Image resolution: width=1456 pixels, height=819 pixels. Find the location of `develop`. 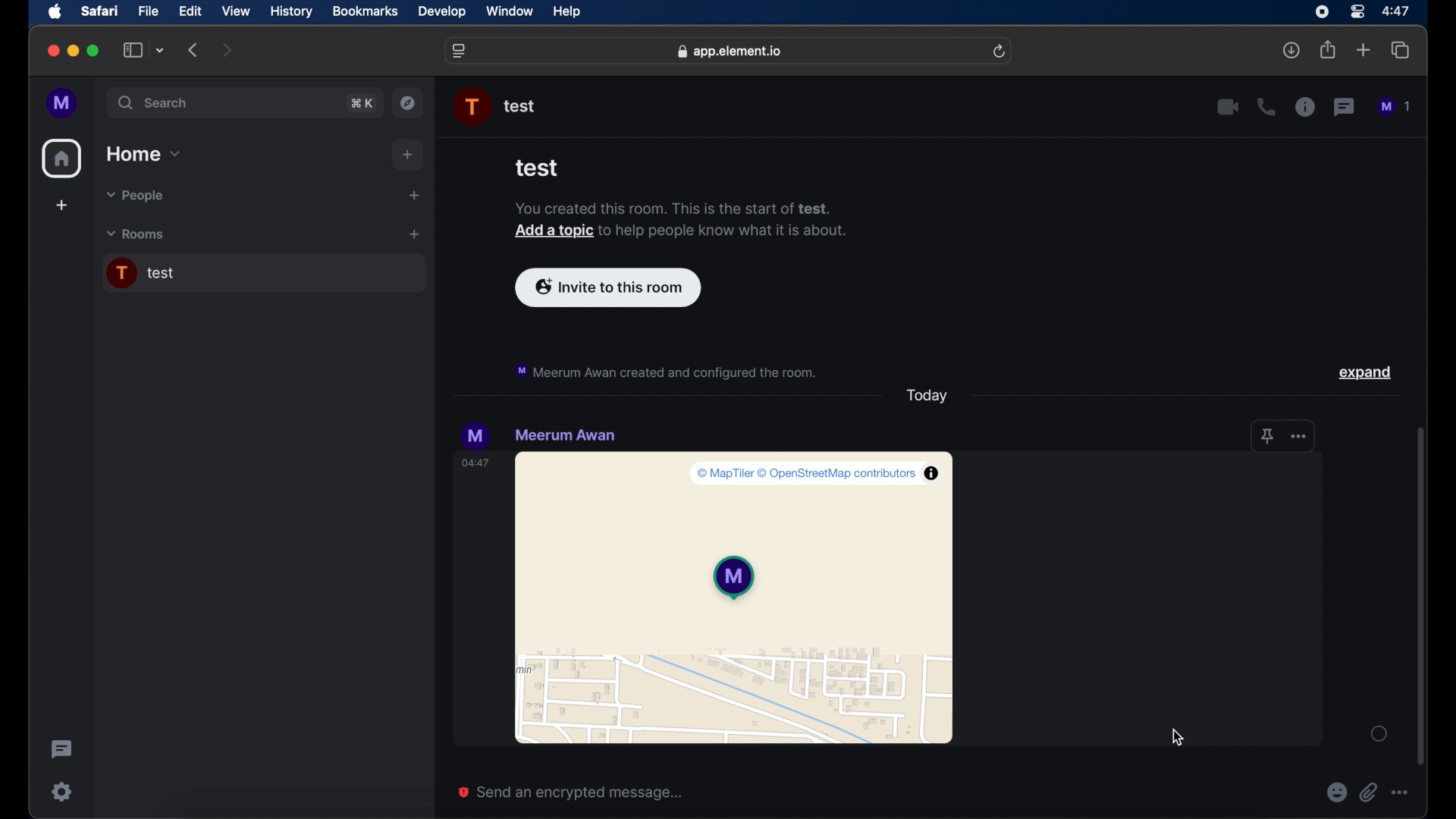

develop is located at coordinates (442, 12).